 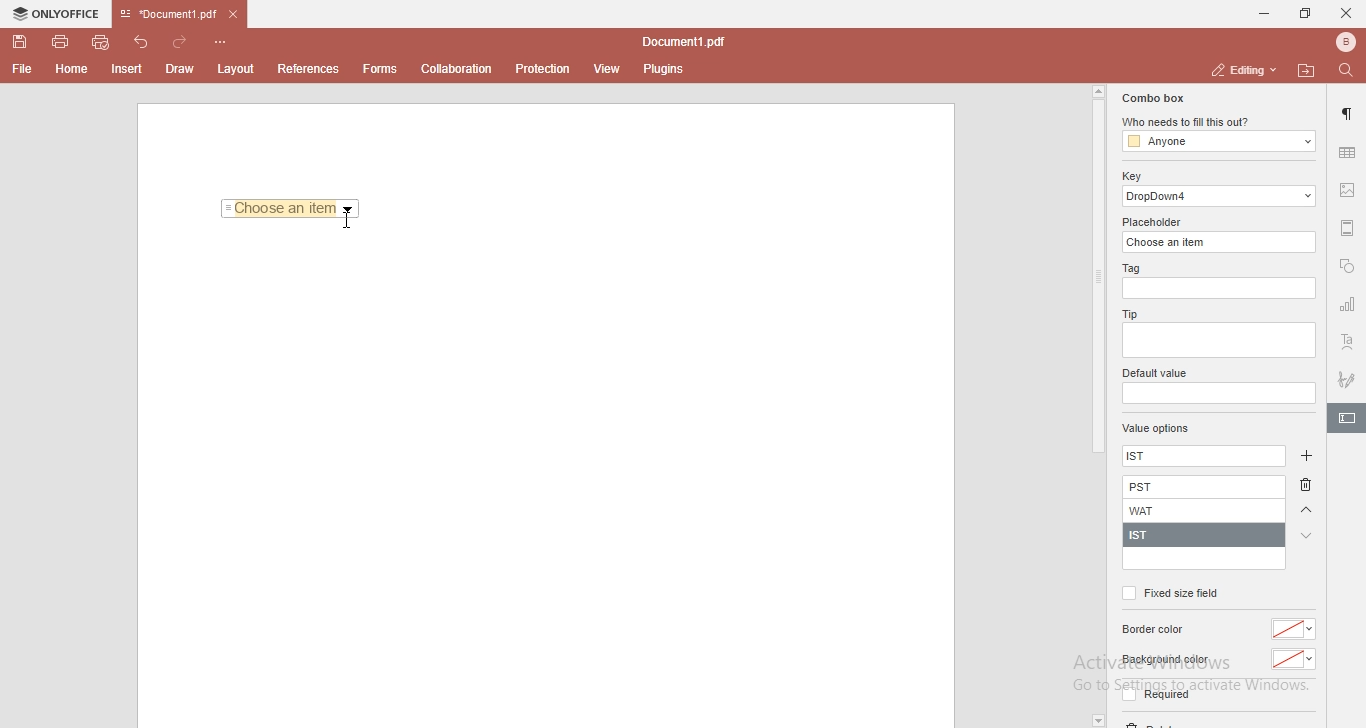 I want to click on forms, so click(x=380, y=69).